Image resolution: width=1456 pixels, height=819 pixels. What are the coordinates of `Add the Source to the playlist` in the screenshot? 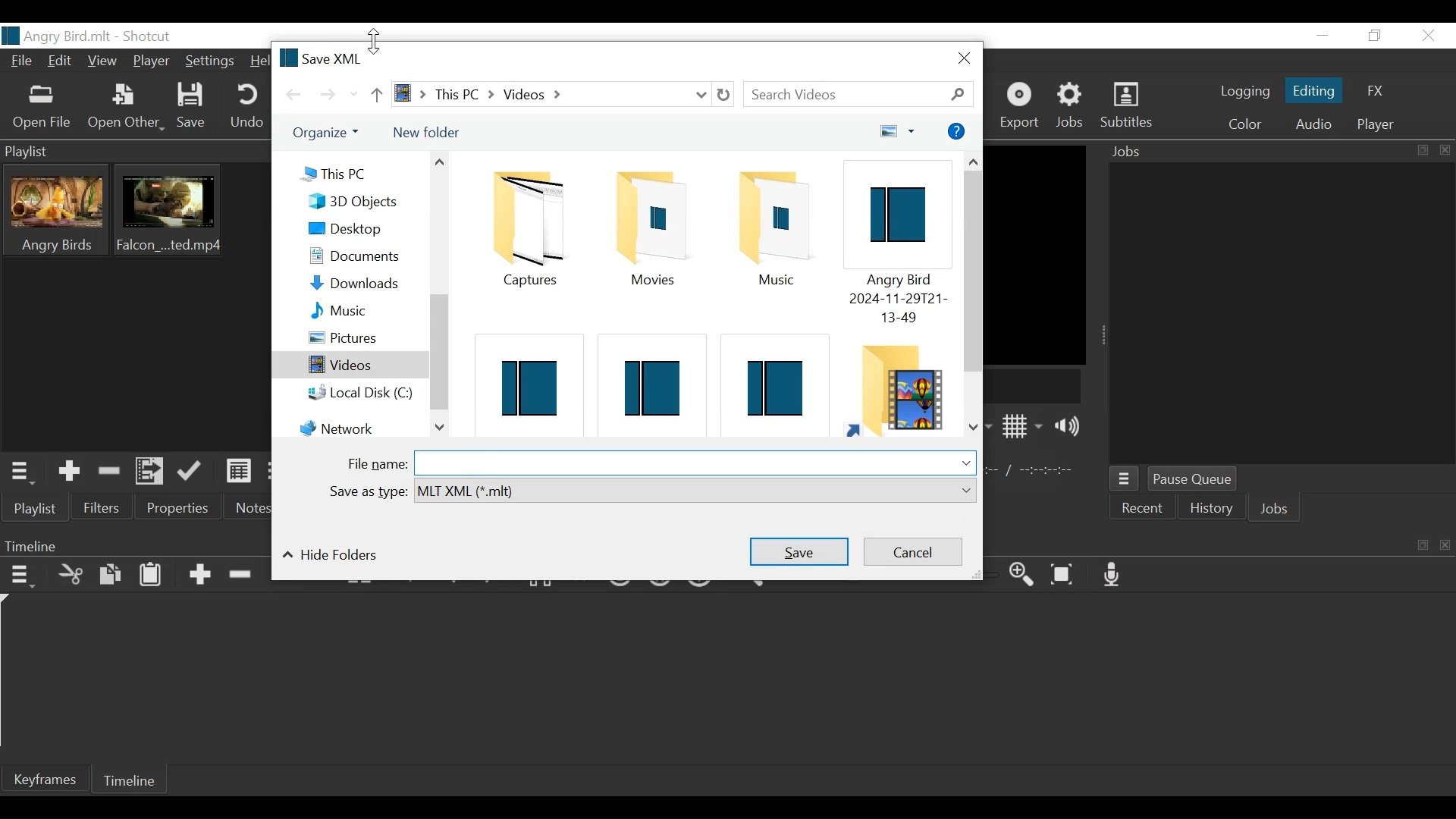 It's located at (70, 472).